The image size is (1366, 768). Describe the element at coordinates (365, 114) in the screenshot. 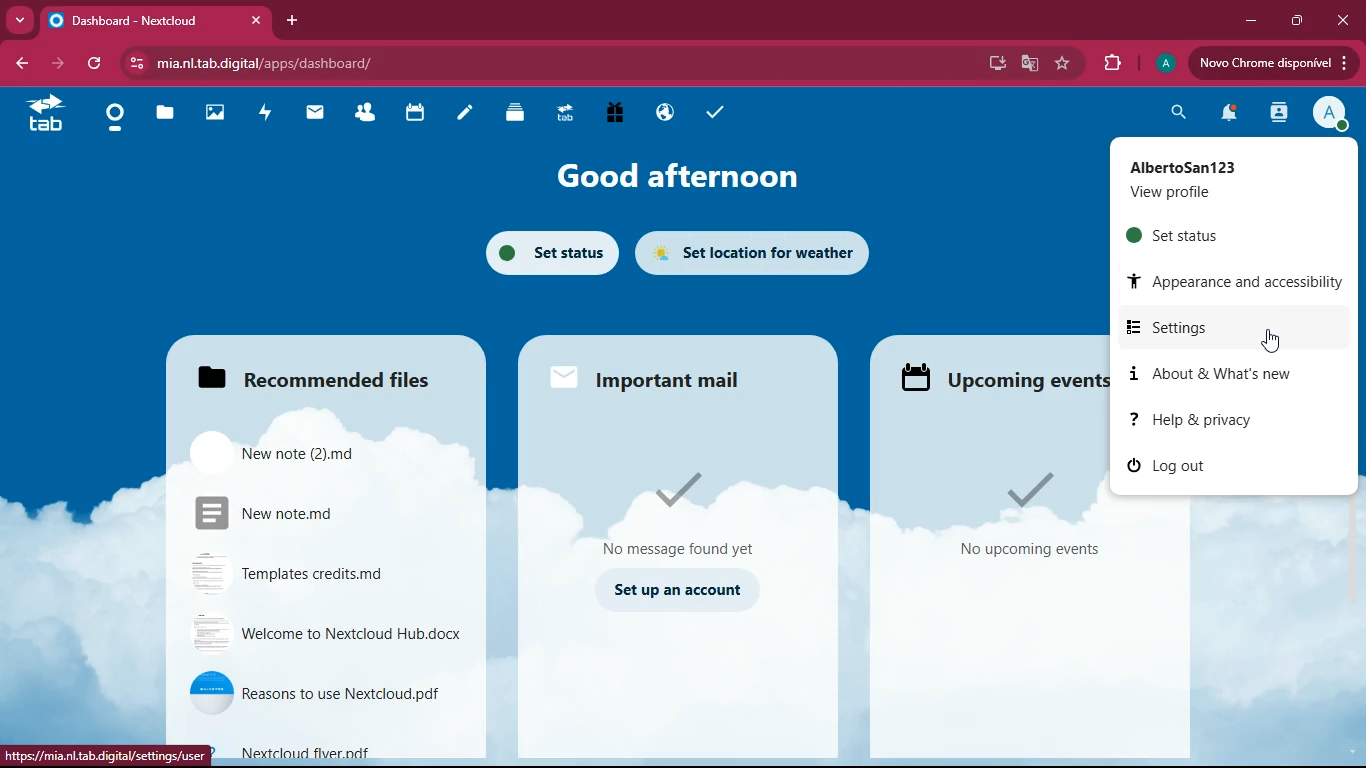

I see `friends` at that location.